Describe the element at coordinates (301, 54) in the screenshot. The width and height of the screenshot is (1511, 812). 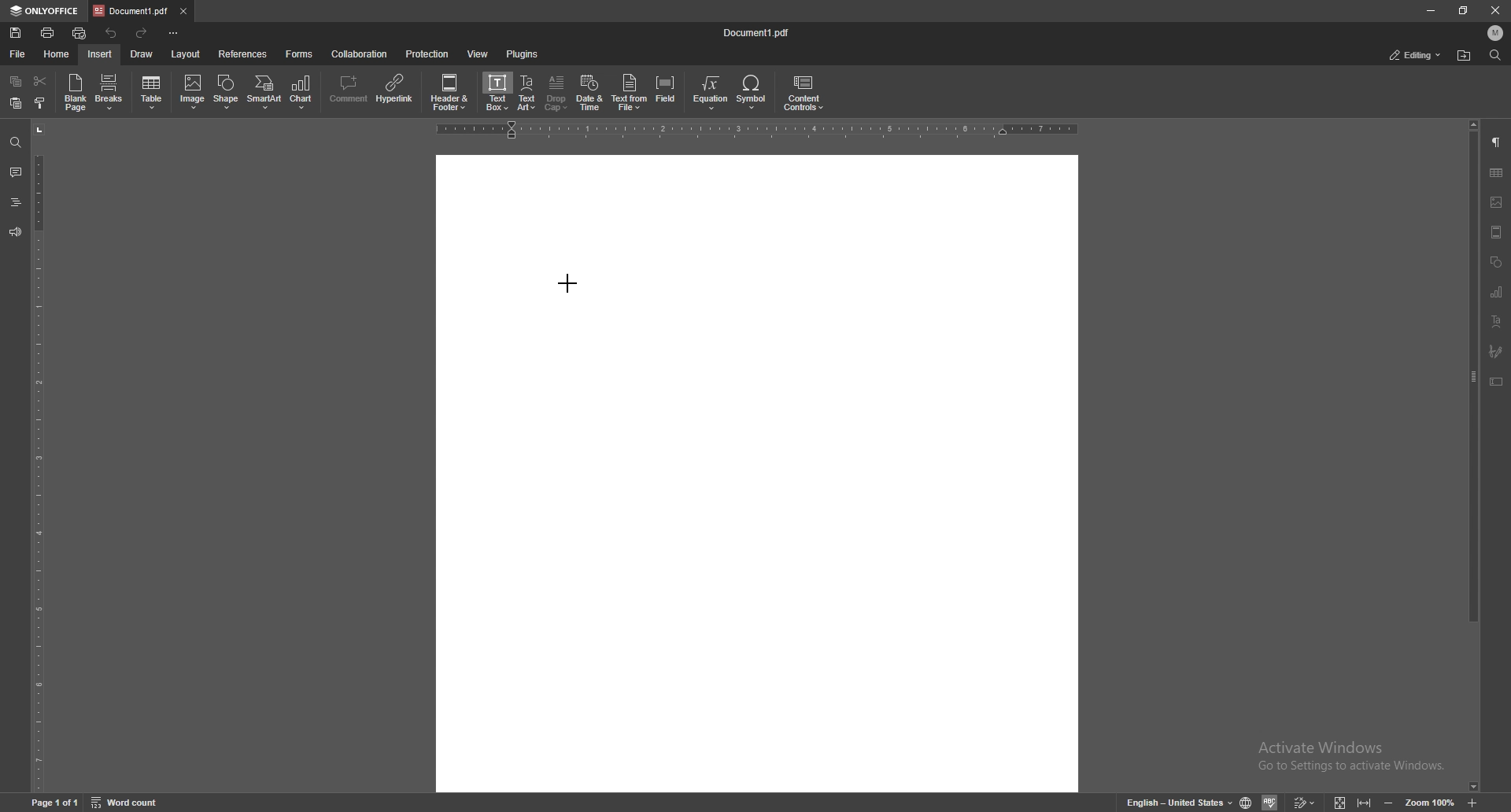
I see `forms` at that location.